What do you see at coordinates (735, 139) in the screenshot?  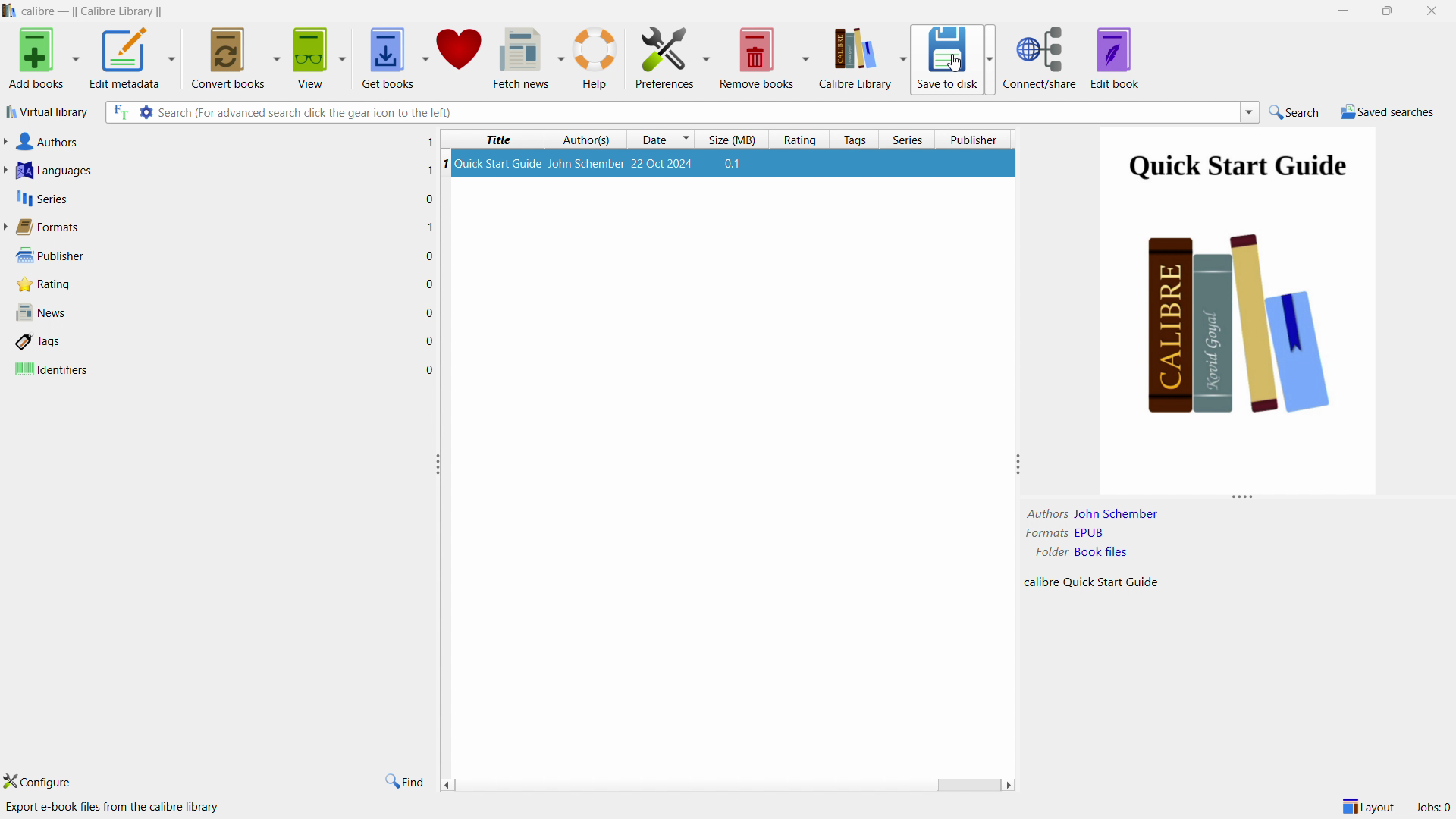 I see `size (MB)` at bounding box center [735, 139].